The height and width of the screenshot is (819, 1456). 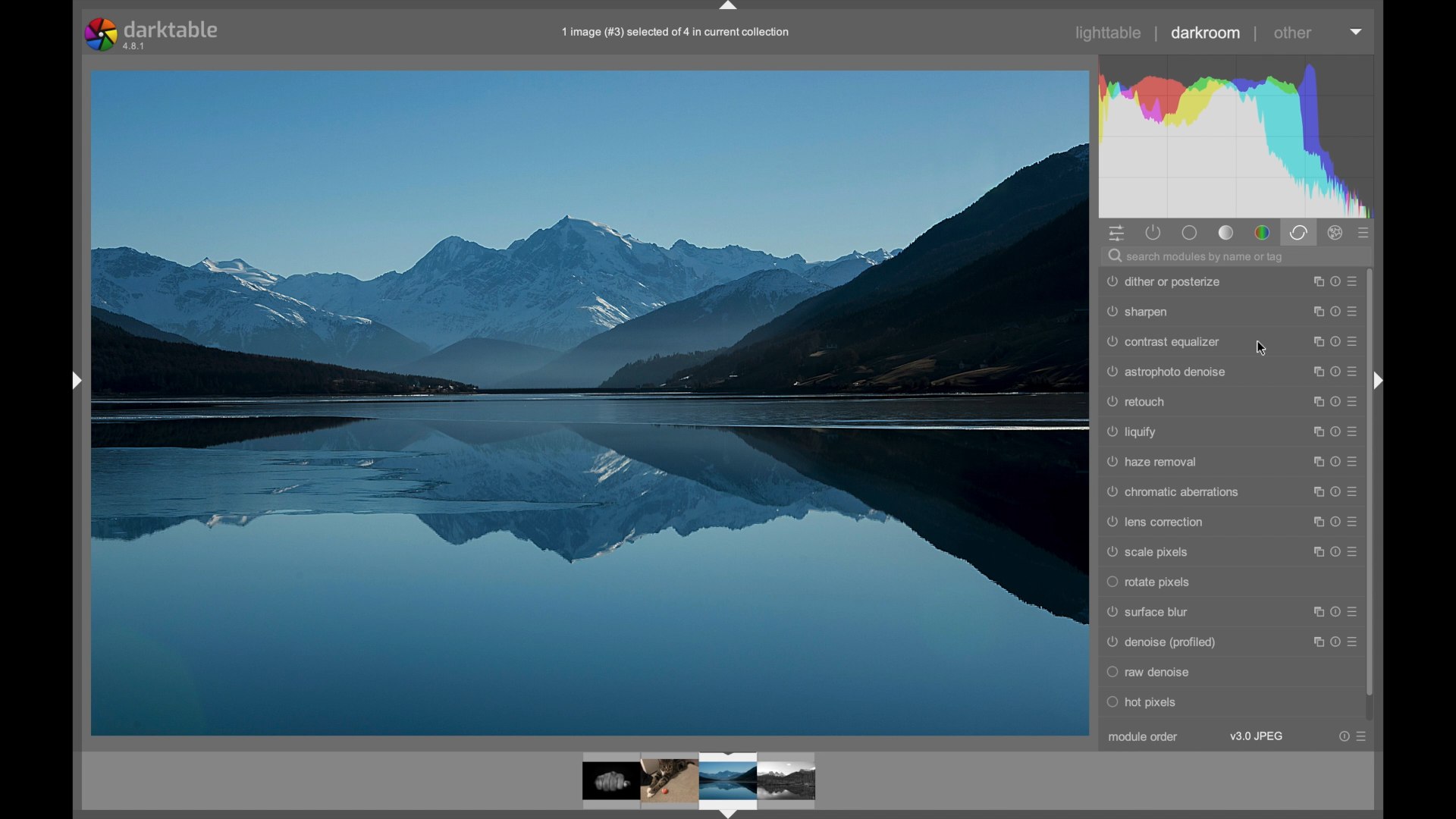 I want to click on photo, so click(x=590, y=401).